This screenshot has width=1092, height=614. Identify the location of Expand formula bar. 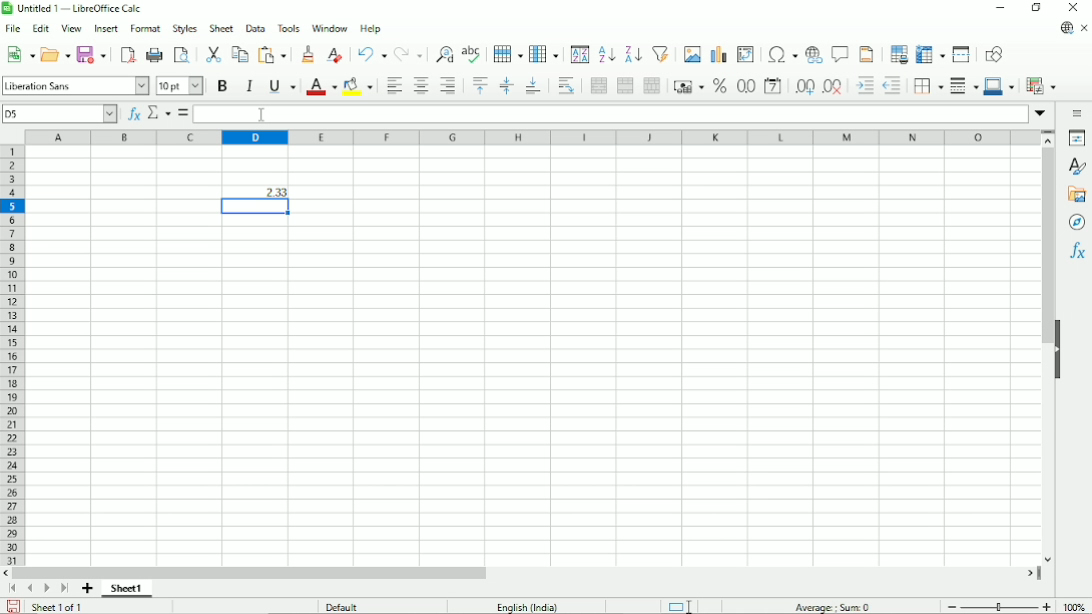
(1042, 113).